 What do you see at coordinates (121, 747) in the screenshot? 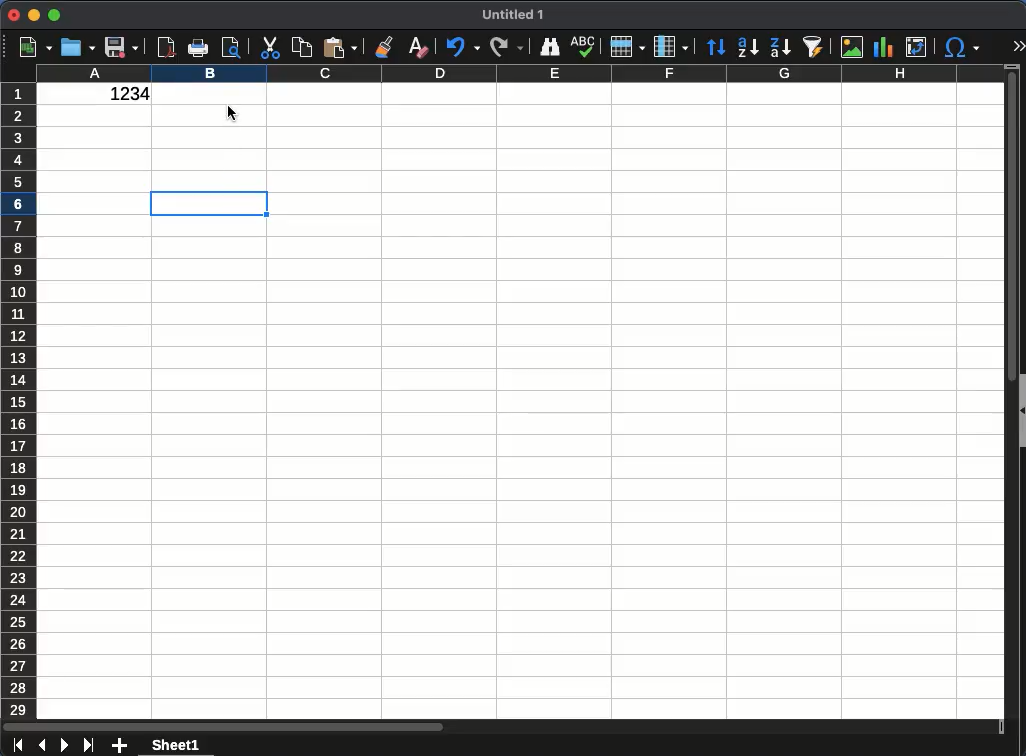
I see `add sheet` at bounding box center [121, 747].